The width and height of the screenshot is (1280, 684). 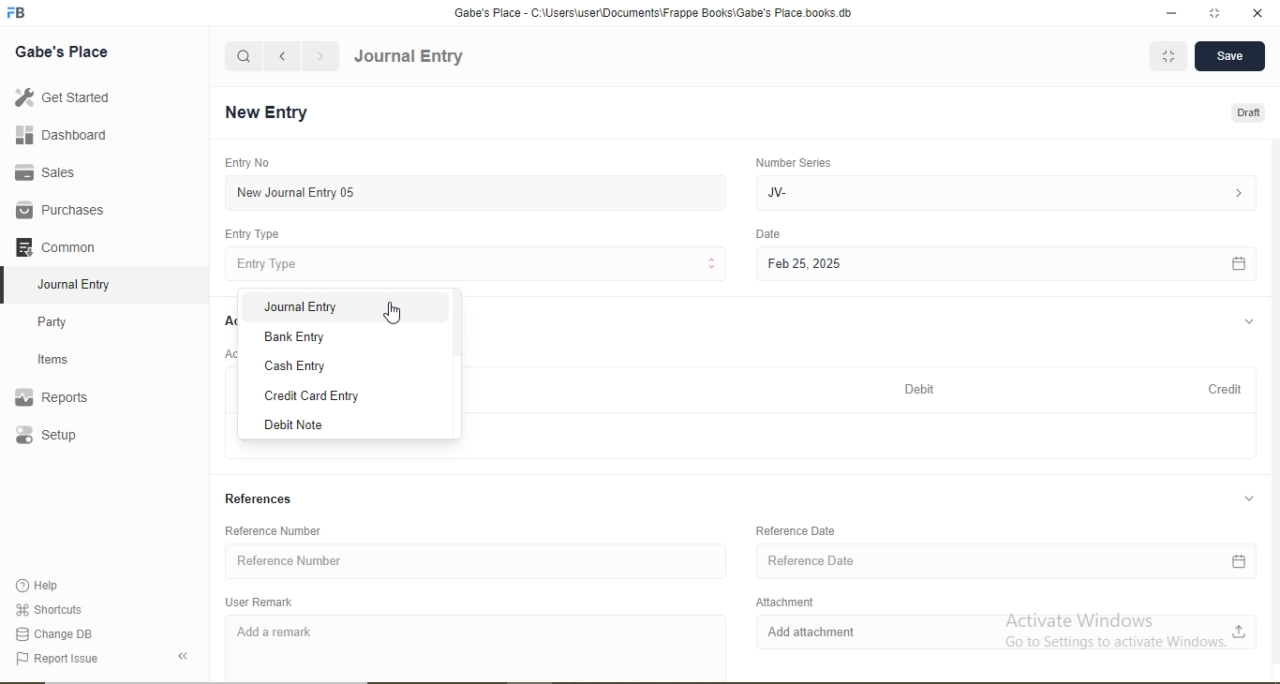 I want to click on Reference Date, so click(x=796, y=531).